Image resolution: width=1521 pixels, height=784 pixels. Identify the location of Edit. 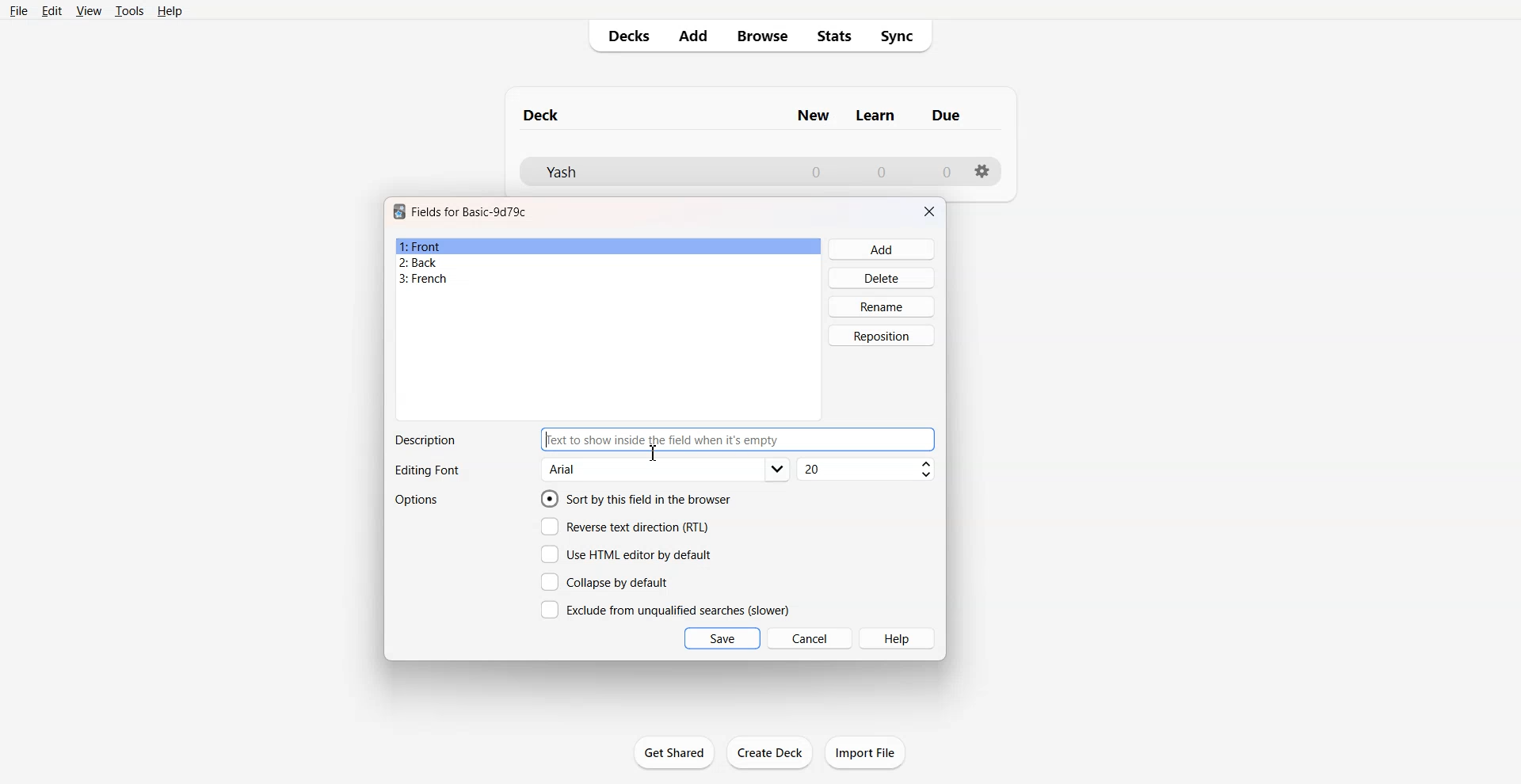
(51, 11).